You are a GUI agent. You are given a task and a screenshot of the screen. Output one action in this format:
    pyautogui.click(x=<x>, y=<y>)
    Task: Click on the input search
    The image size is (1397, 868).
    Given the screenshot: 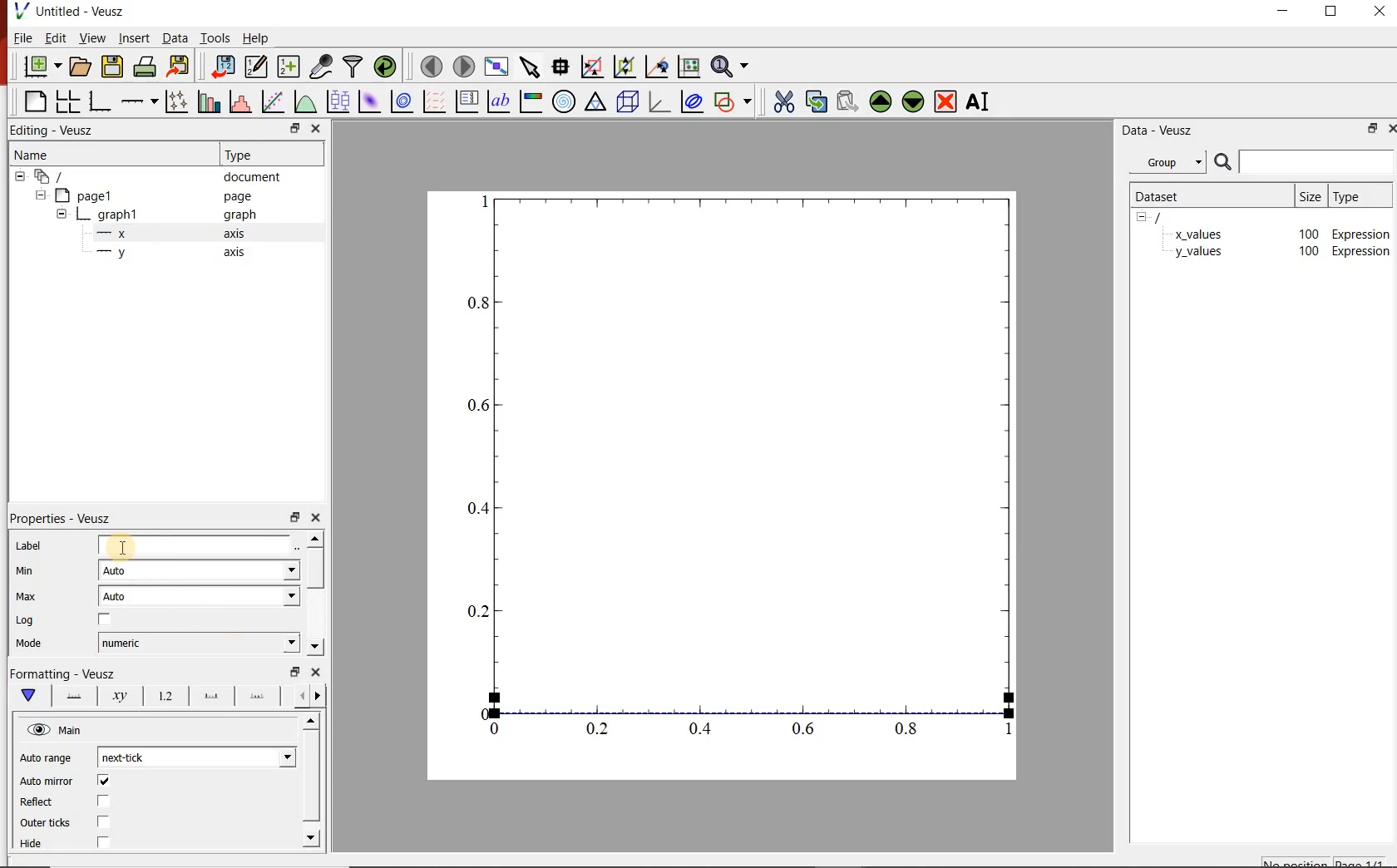 What is the action you would take?
    pyautogui.click(x=1316, y=161)
    